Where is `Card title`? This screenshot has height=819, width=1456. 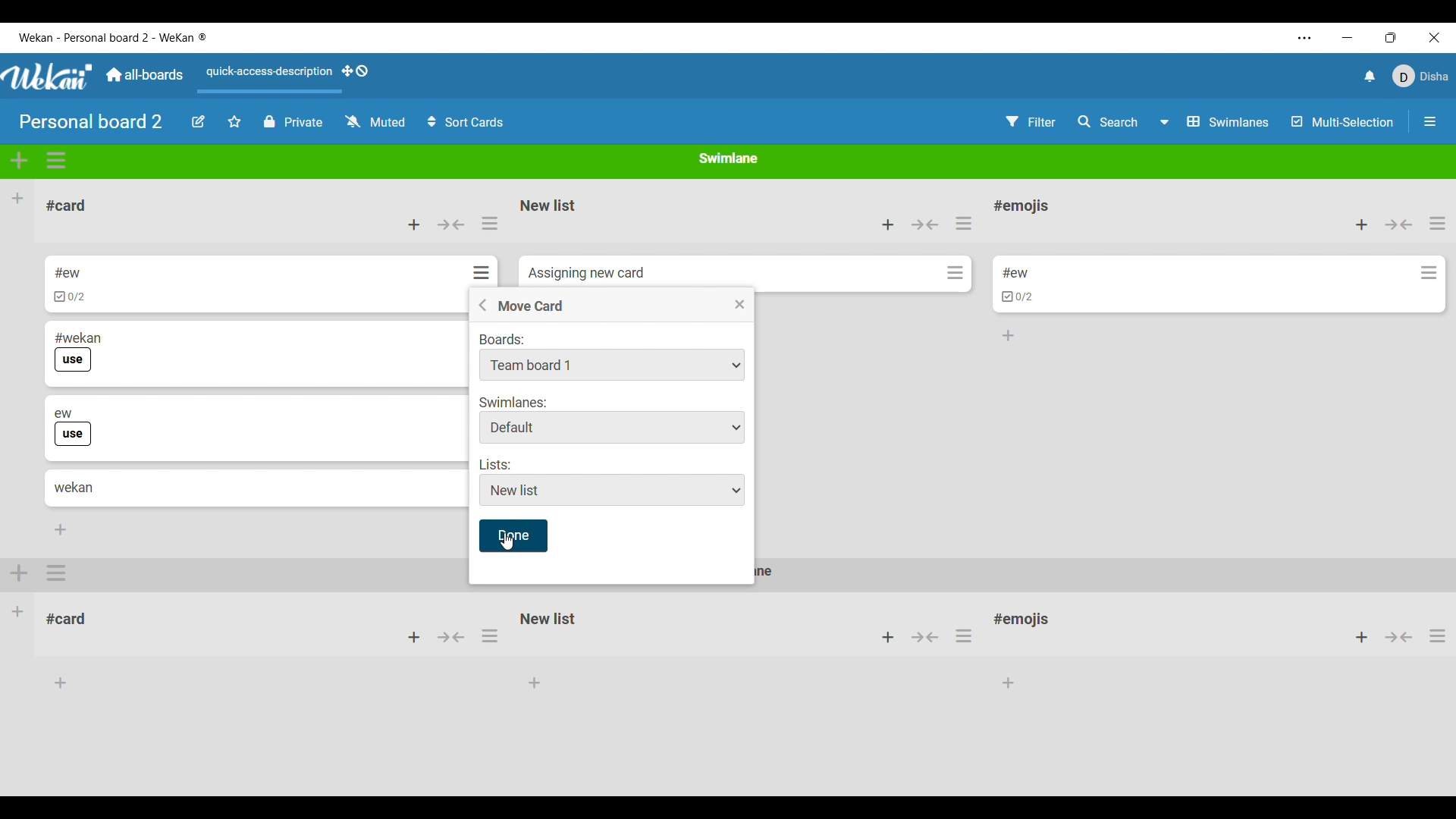
Card title is located at coordinates (74, 488).